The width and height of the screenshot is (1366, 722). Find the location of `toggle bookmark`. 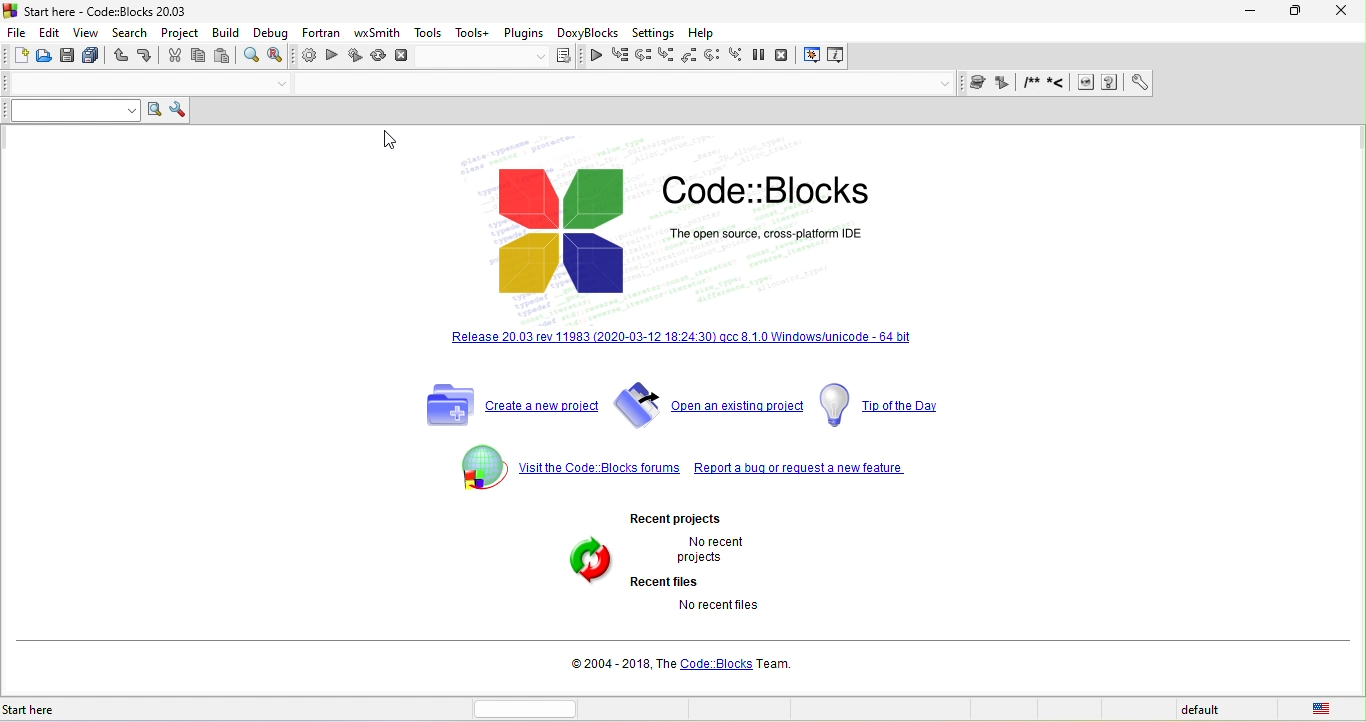

toggle bookmark is located at coordinates (1032, 85).